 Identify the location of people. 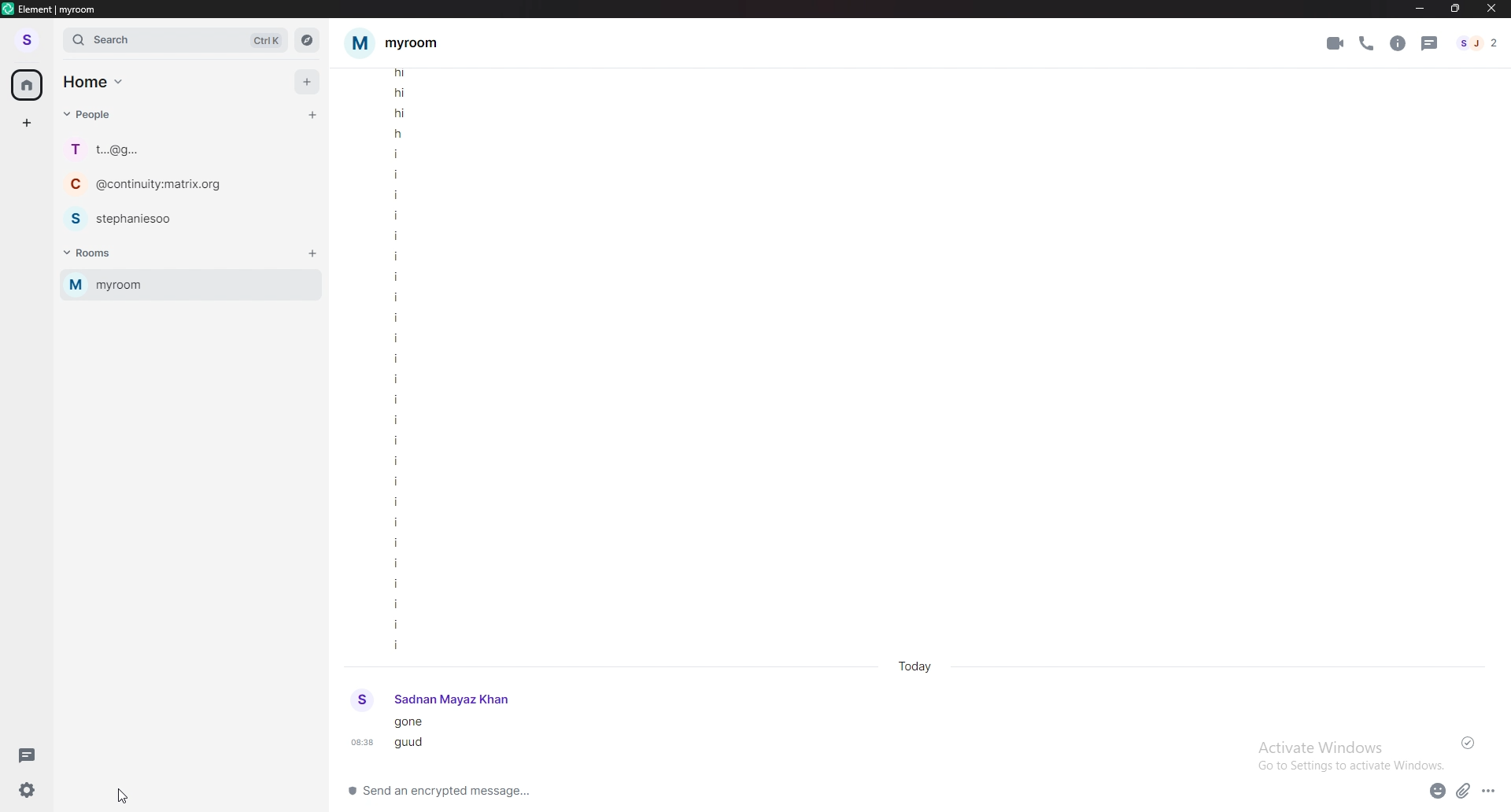
(1476, 42).